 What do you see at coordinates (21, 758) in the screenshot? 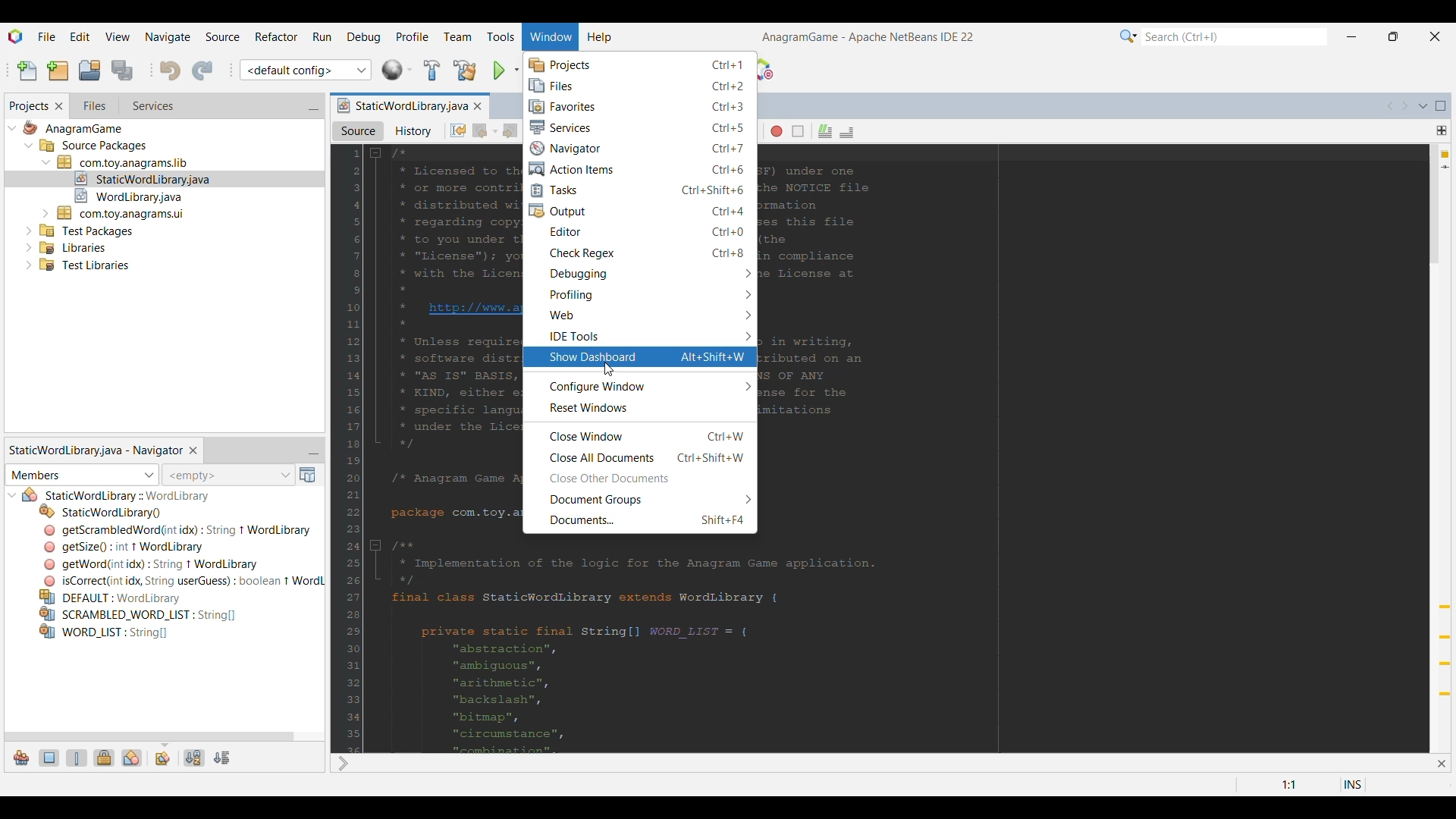
I see `Show inherited members ` at bounding box center [21, 758].